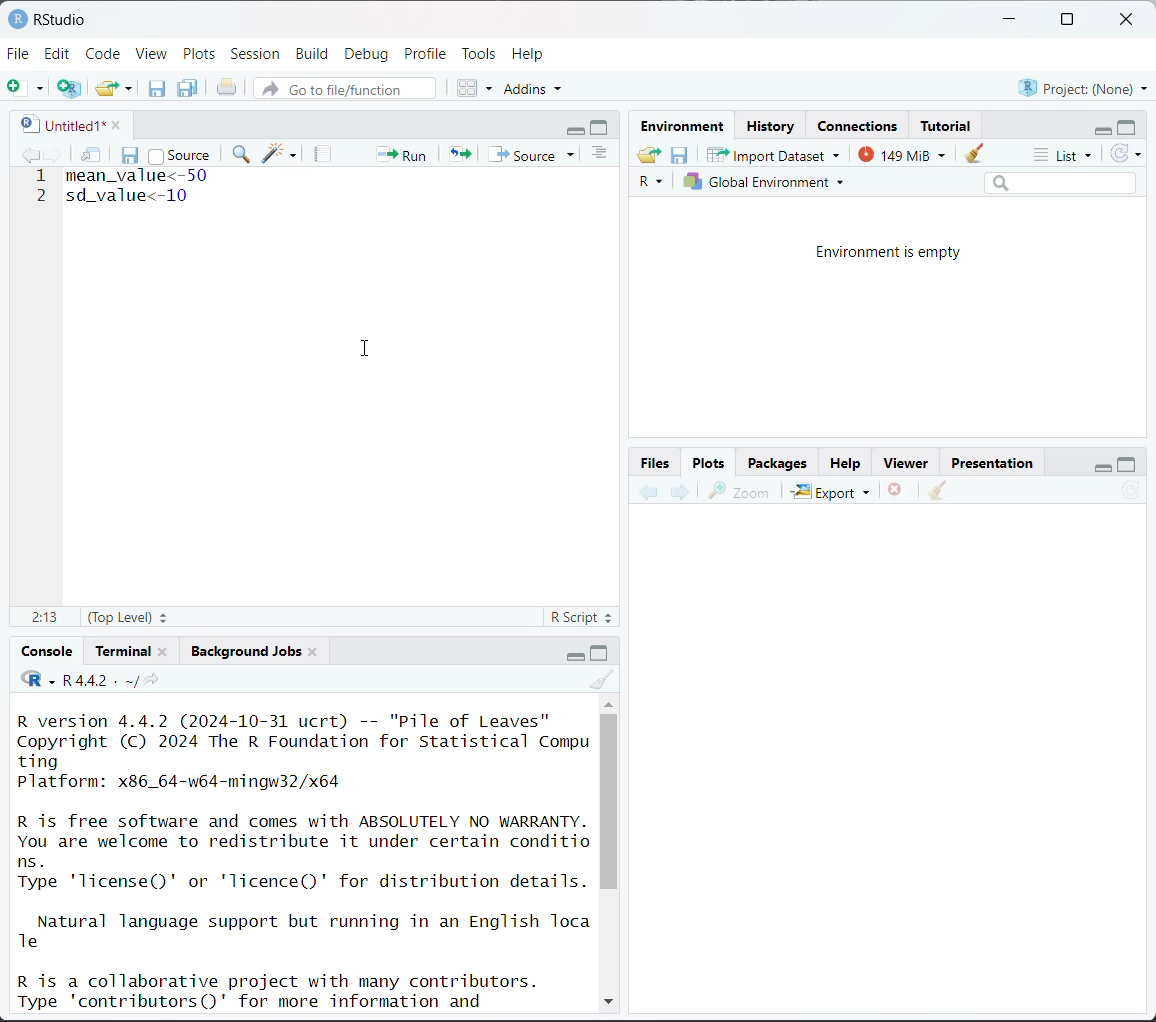  Describe the element at coordinates (152, 55) in the screenshot. I see `View` at that location.